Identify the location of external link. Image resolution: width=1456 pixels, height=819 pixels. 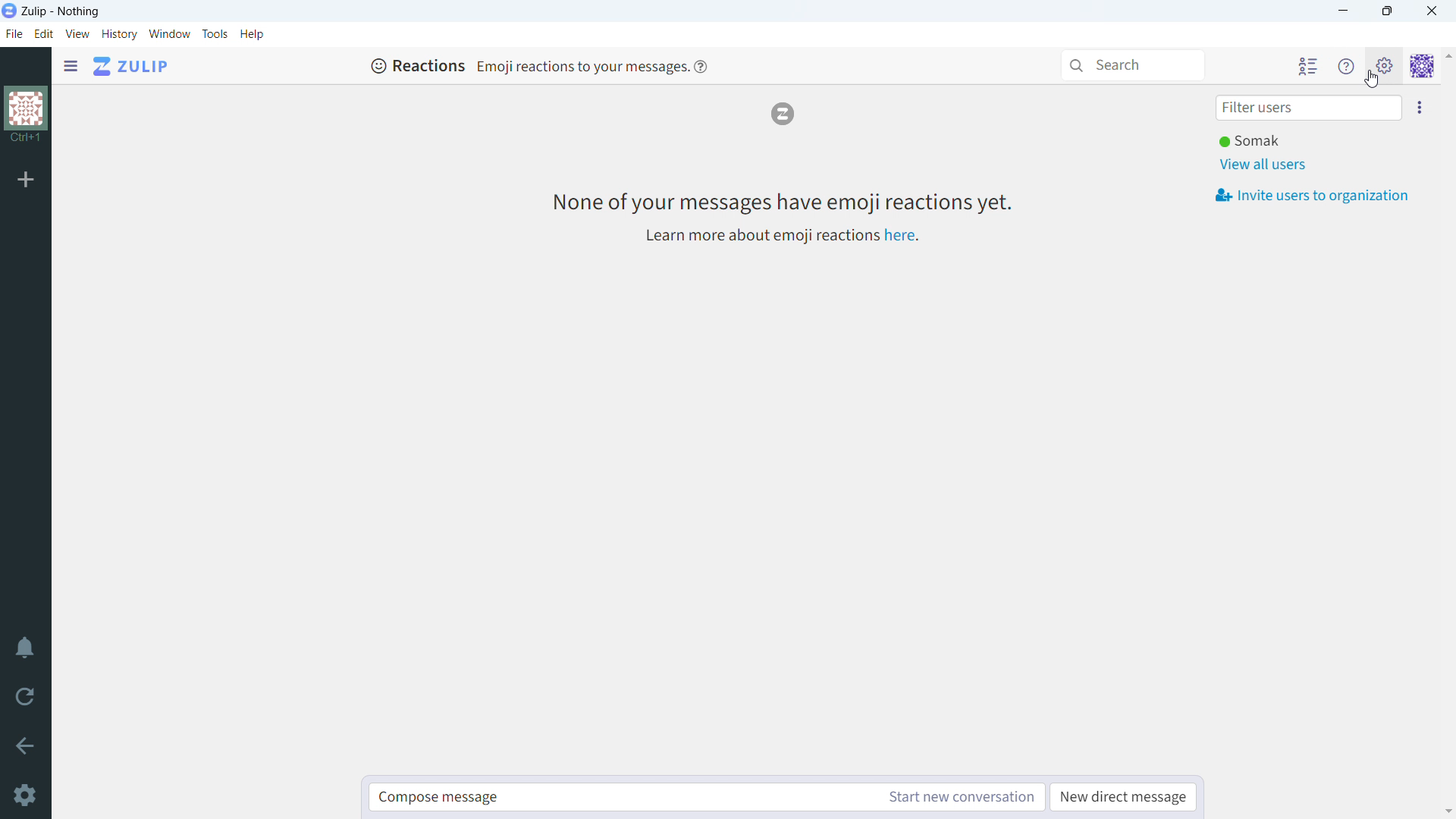
(900, 235).